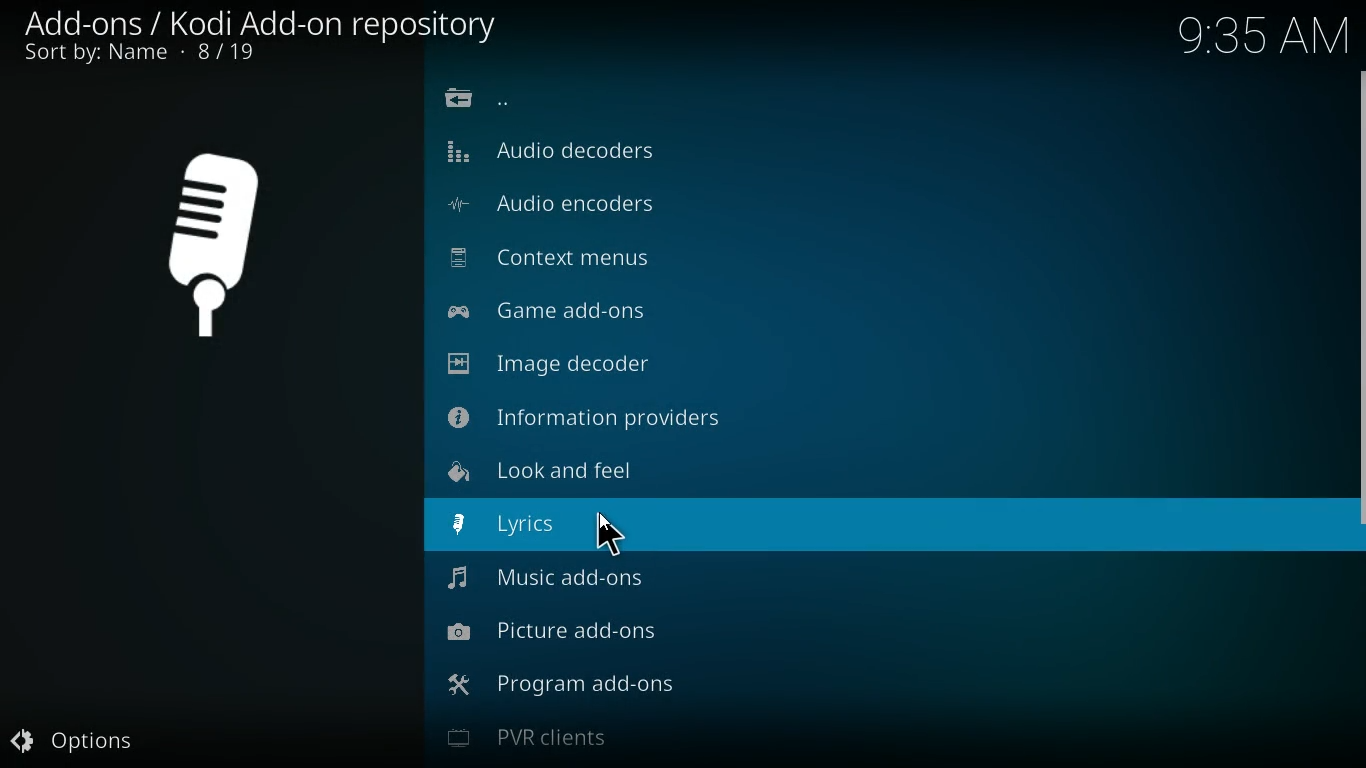 The image size is (1366, 768). Describe the element at coordinates (567, 470) in the screenshot. I see `look and feel` at that location.